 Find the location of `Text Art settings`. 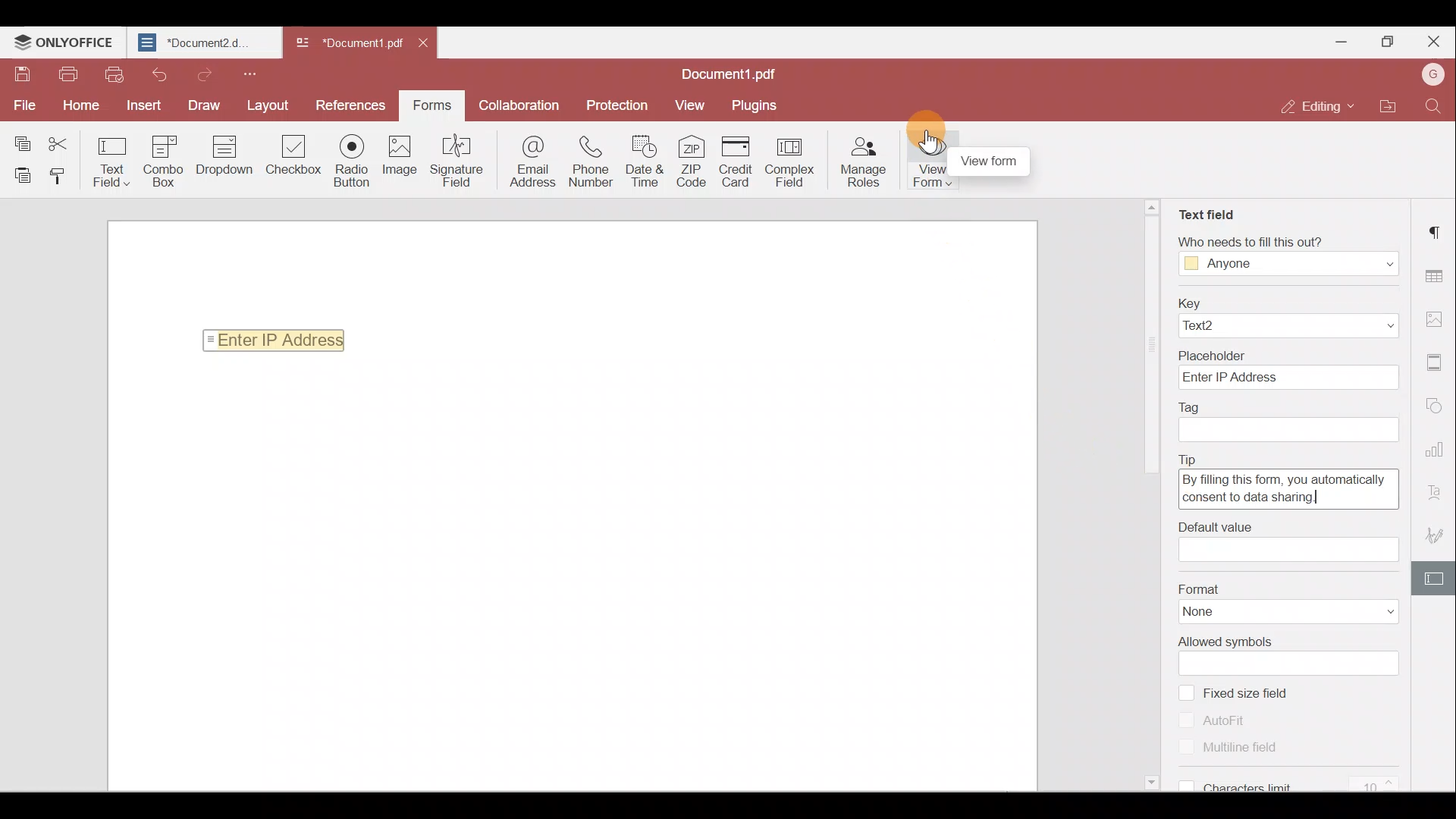

Text Art settings is located at coordinates (1438, 488).